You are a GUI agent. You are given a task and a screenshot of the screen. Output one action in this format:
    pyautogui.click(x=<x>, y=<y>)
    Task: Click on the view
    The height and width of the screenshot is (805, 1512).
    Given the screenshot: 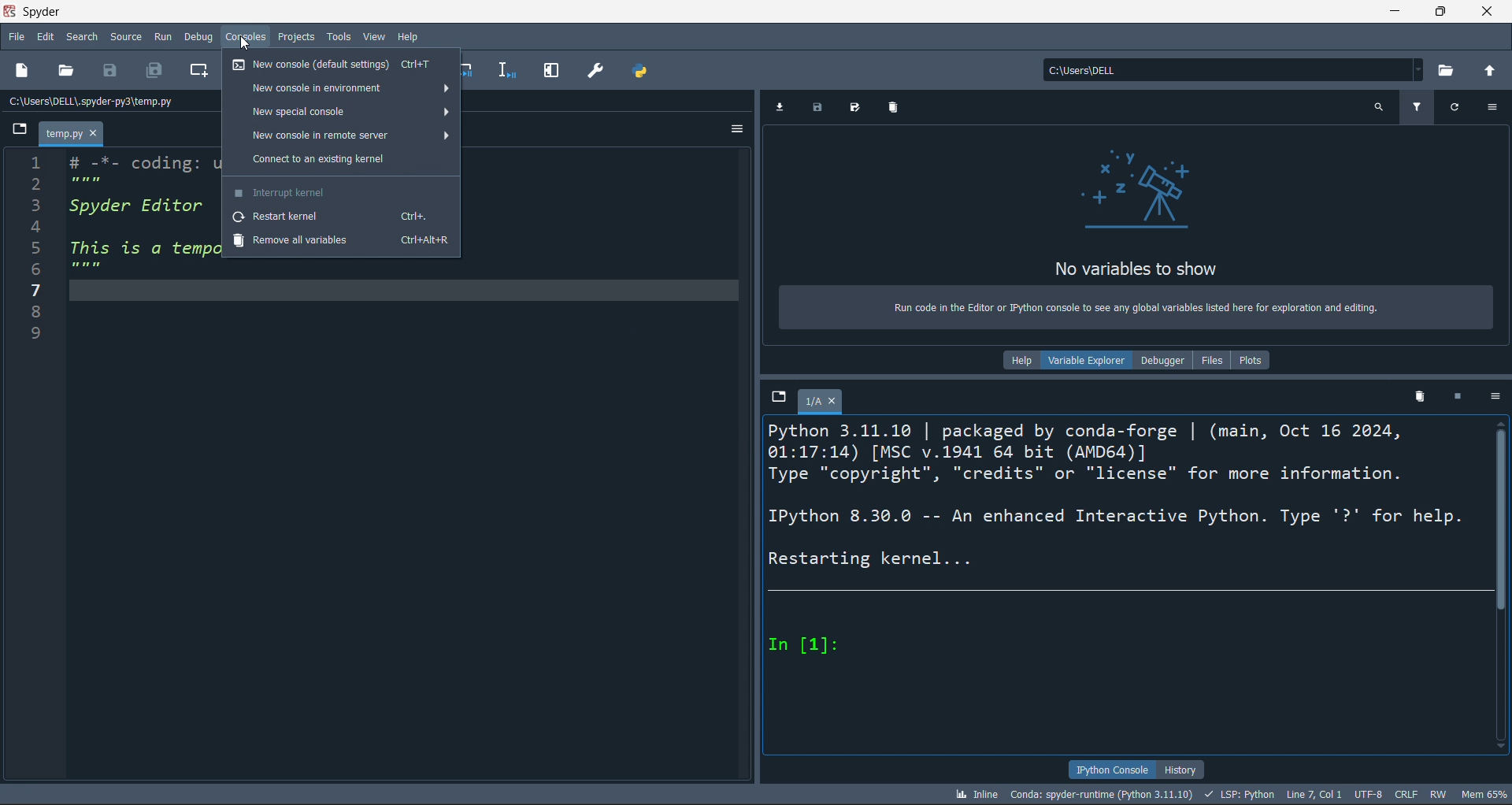 What is the action you would take?
    pyautogui.click(x=372, y=36)
    